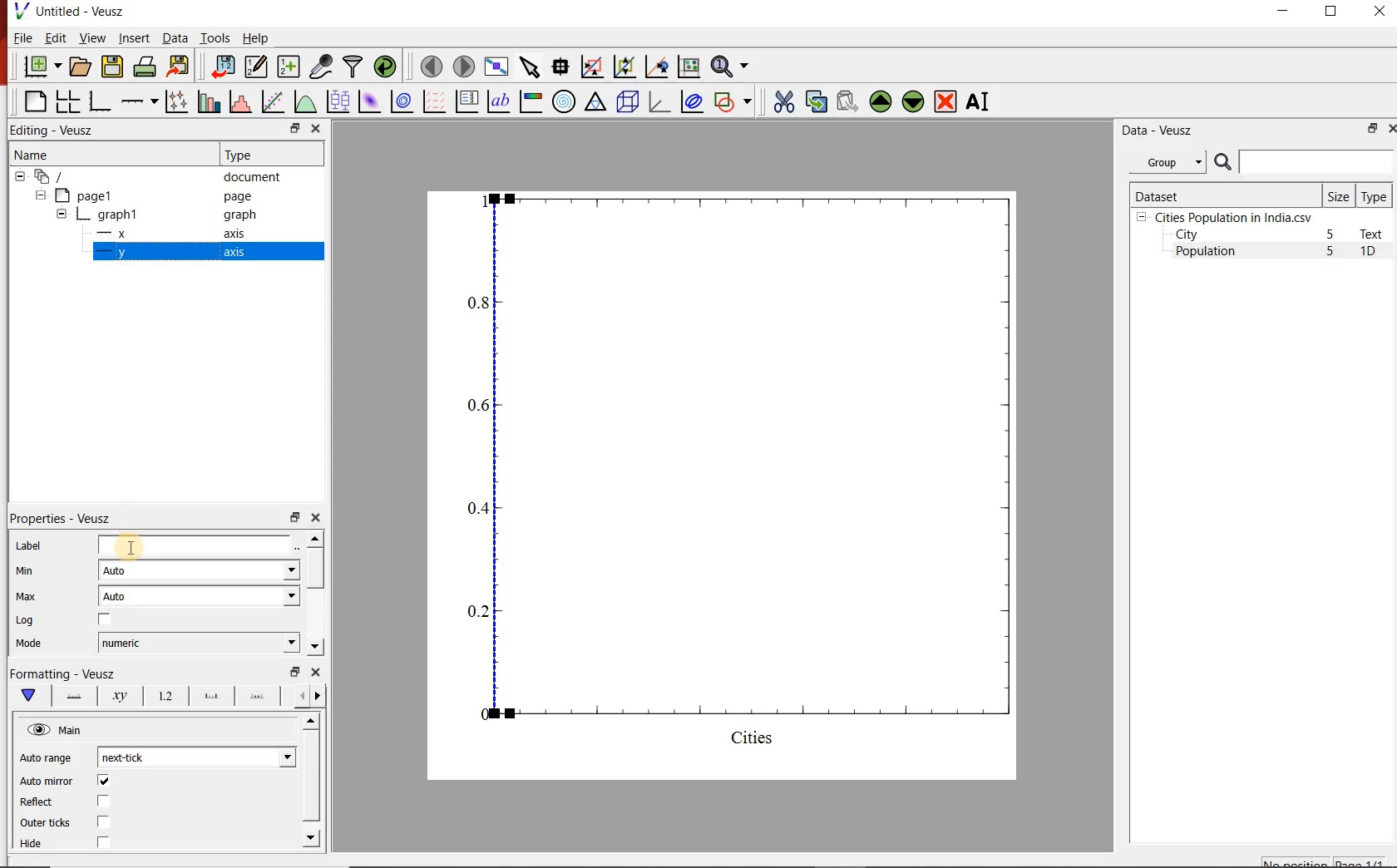 Image resolution: width=1397 pixels, height=868 pixels. I want to click on text label, so click(498, 101).